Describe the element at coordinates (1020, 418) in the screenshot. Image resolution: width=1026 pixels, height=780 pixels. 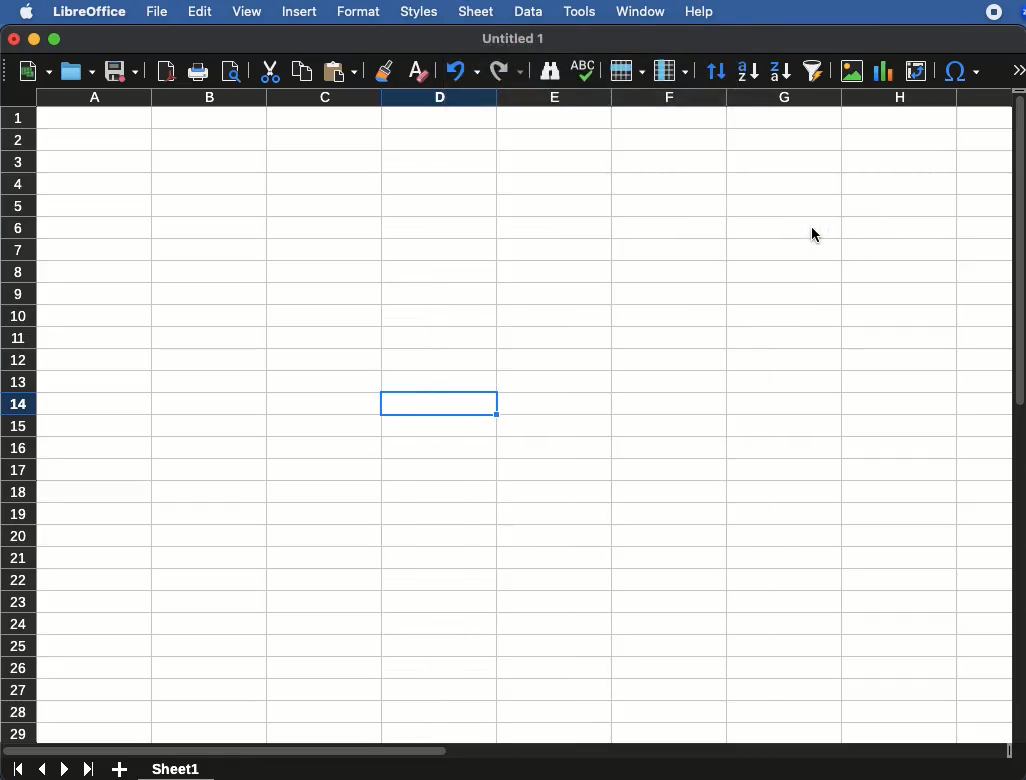
I see `scroll` at that location.